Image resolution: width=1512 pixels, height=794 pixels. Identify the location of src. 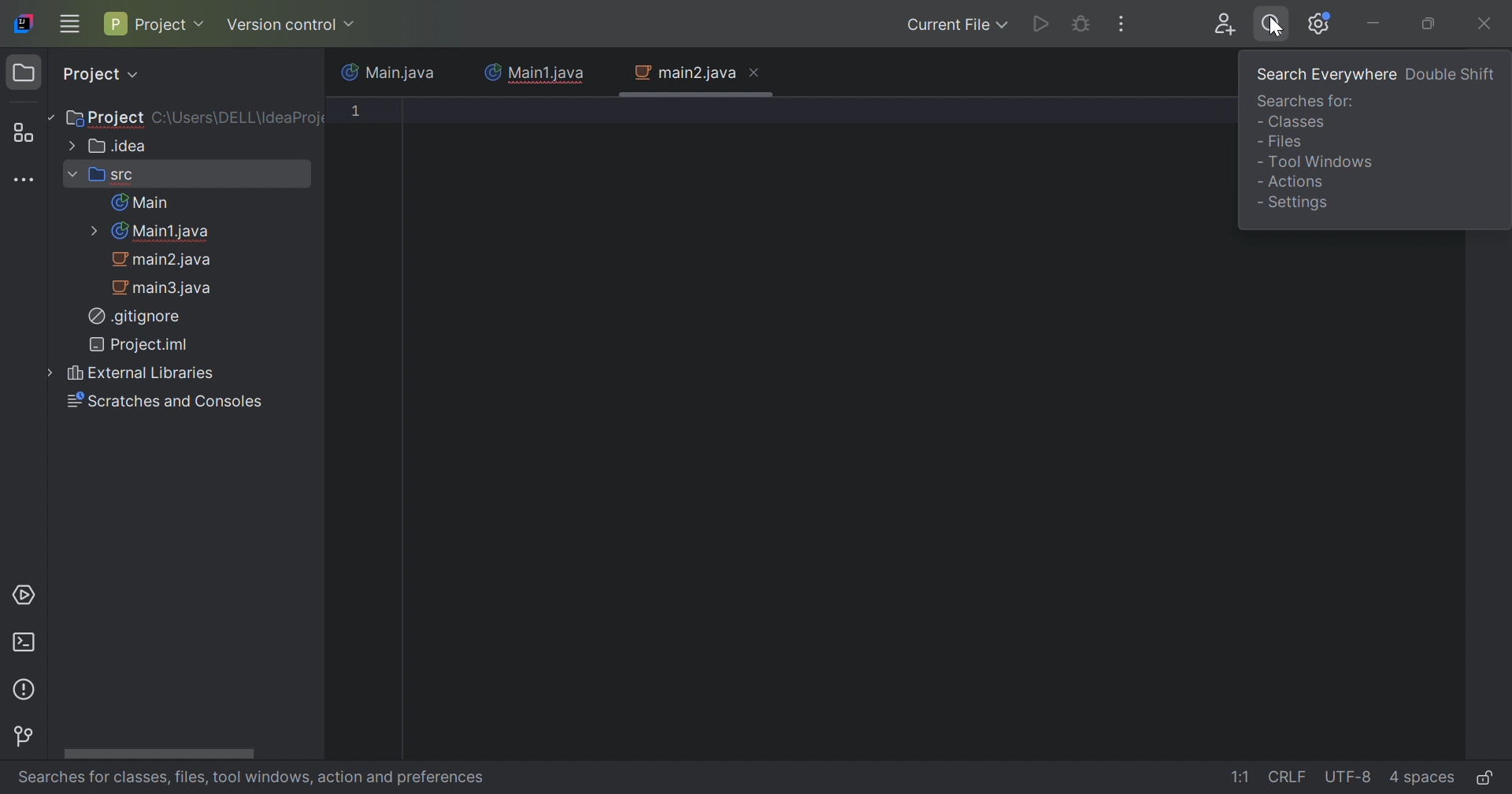
(102, 173).